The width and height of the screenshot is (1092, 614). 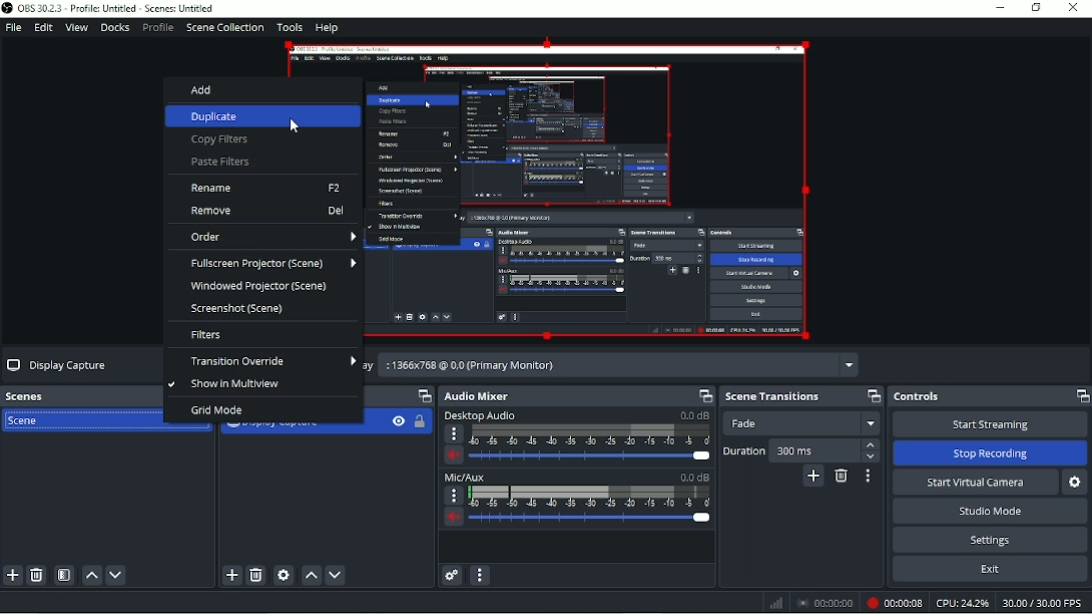 I want to click on Start streaming, so click(x=990, y=424).